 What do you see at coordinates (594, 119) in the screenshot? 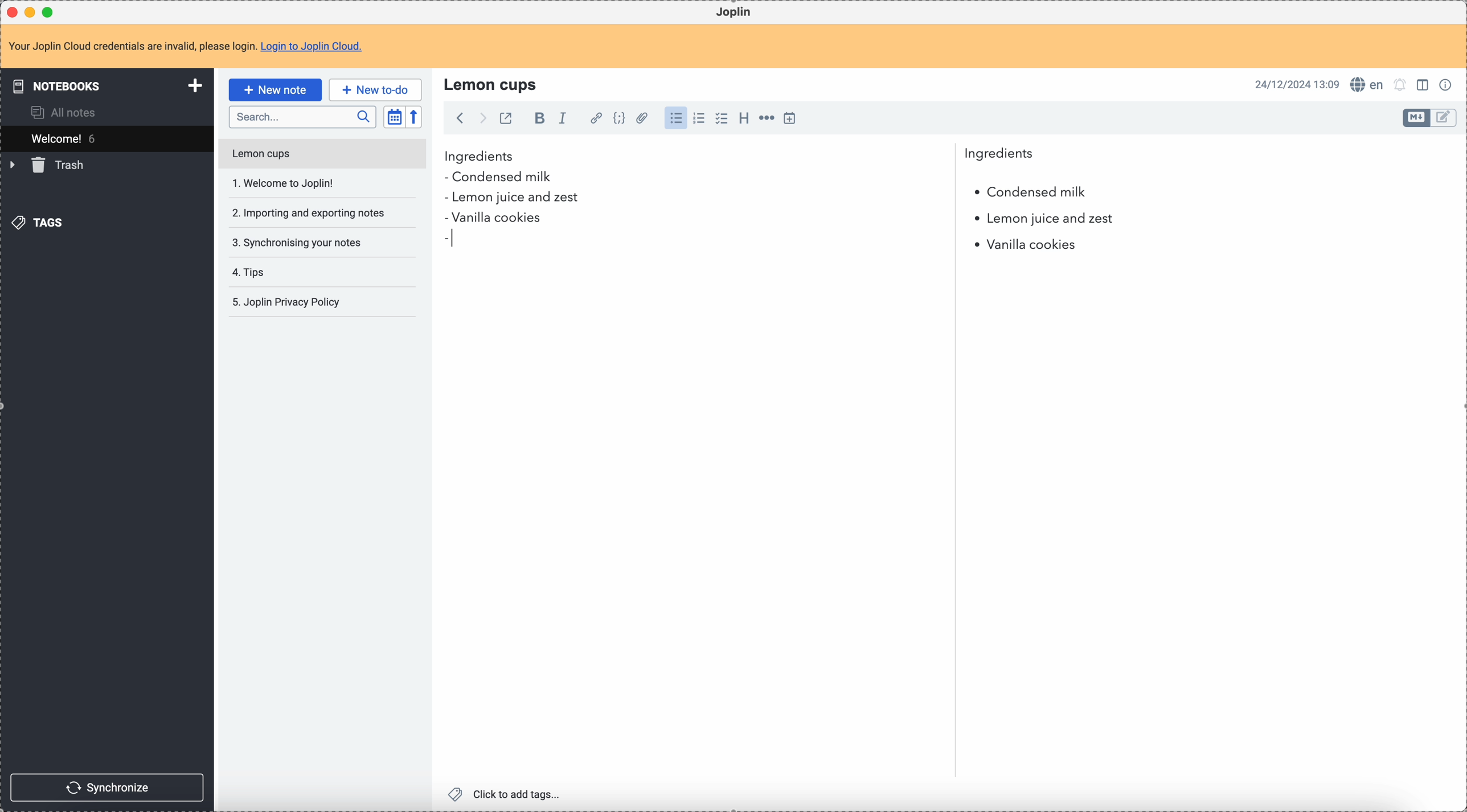
I see `hyperlink` at bounding box center [594, 119].